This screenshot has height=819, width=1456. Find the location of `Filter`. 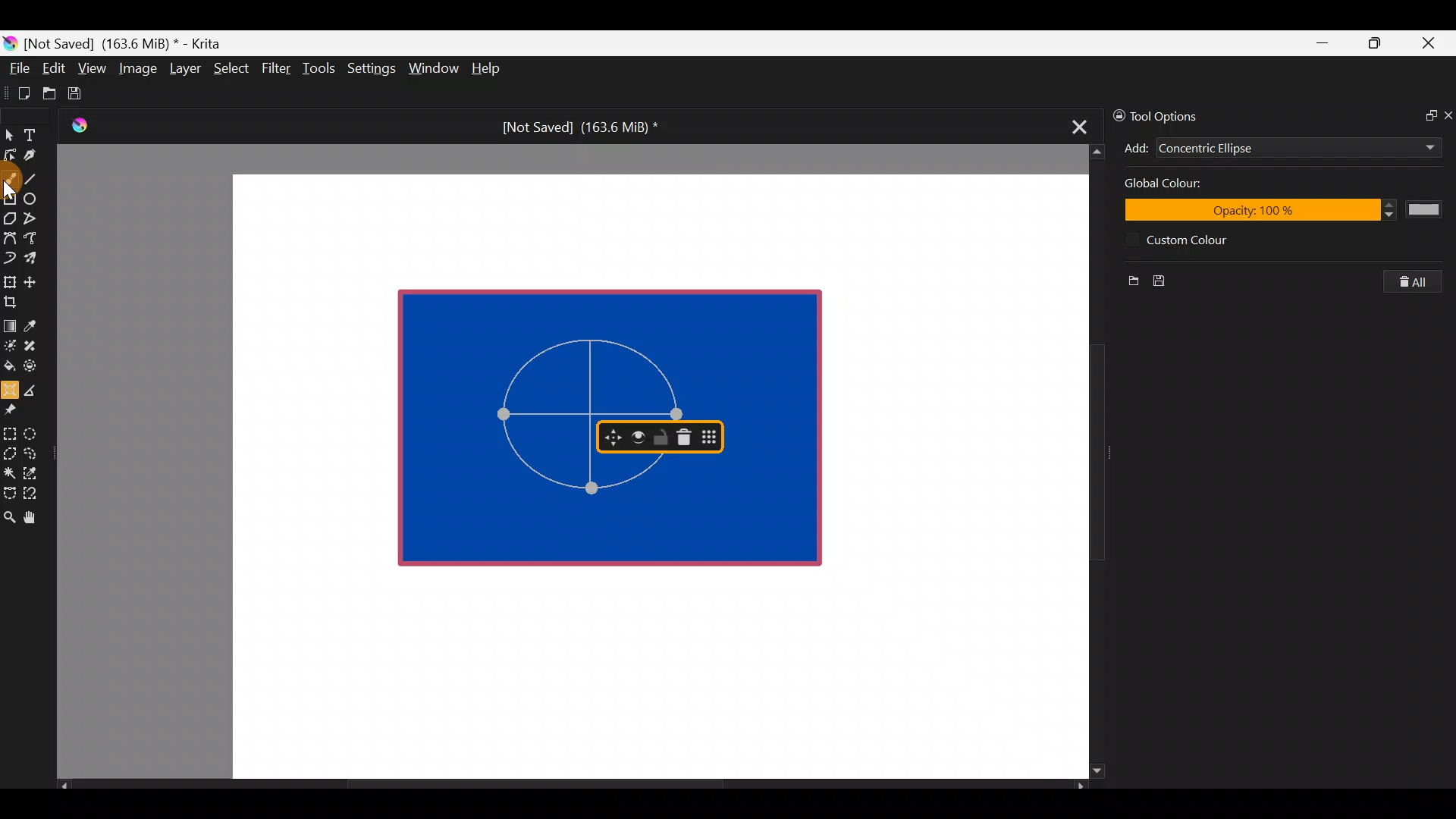

Filter is located at coordinates (277, 67).